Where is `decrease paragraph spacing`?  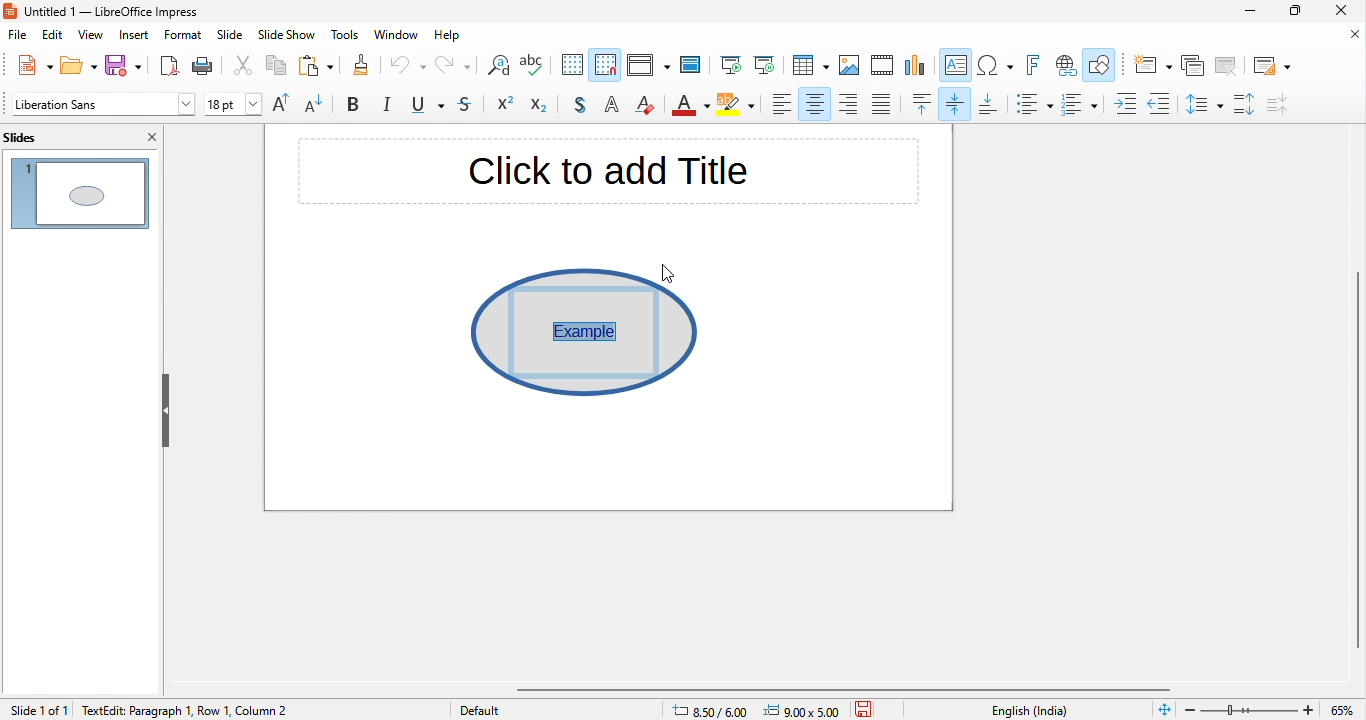
decrease paragraph spacing is located at coordinates (1290, 104).